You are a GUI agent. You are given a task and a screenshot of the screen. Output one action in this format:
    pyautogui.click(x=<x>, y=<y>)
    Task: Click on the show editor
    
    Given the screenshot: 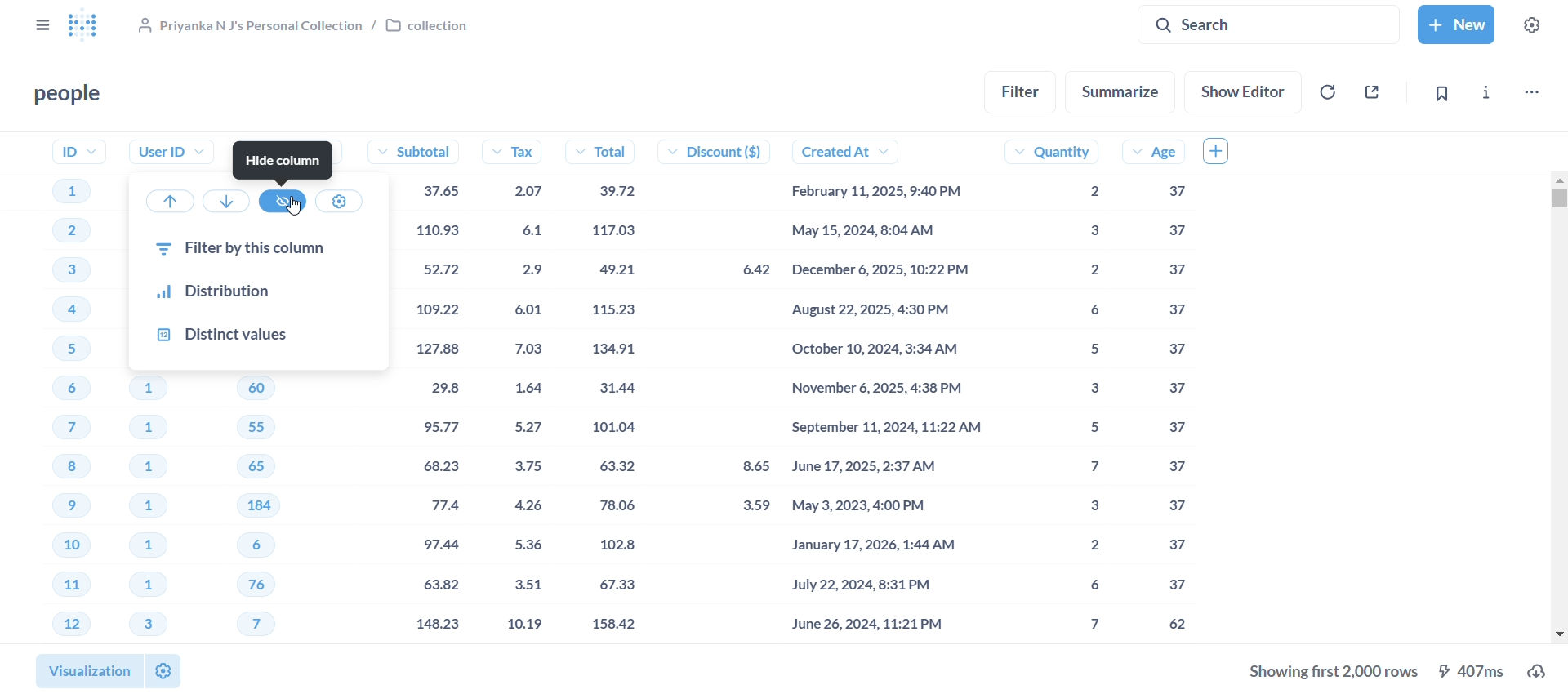 What is the action you would take?
    pyautogui.click(x=1241, y=91)
    